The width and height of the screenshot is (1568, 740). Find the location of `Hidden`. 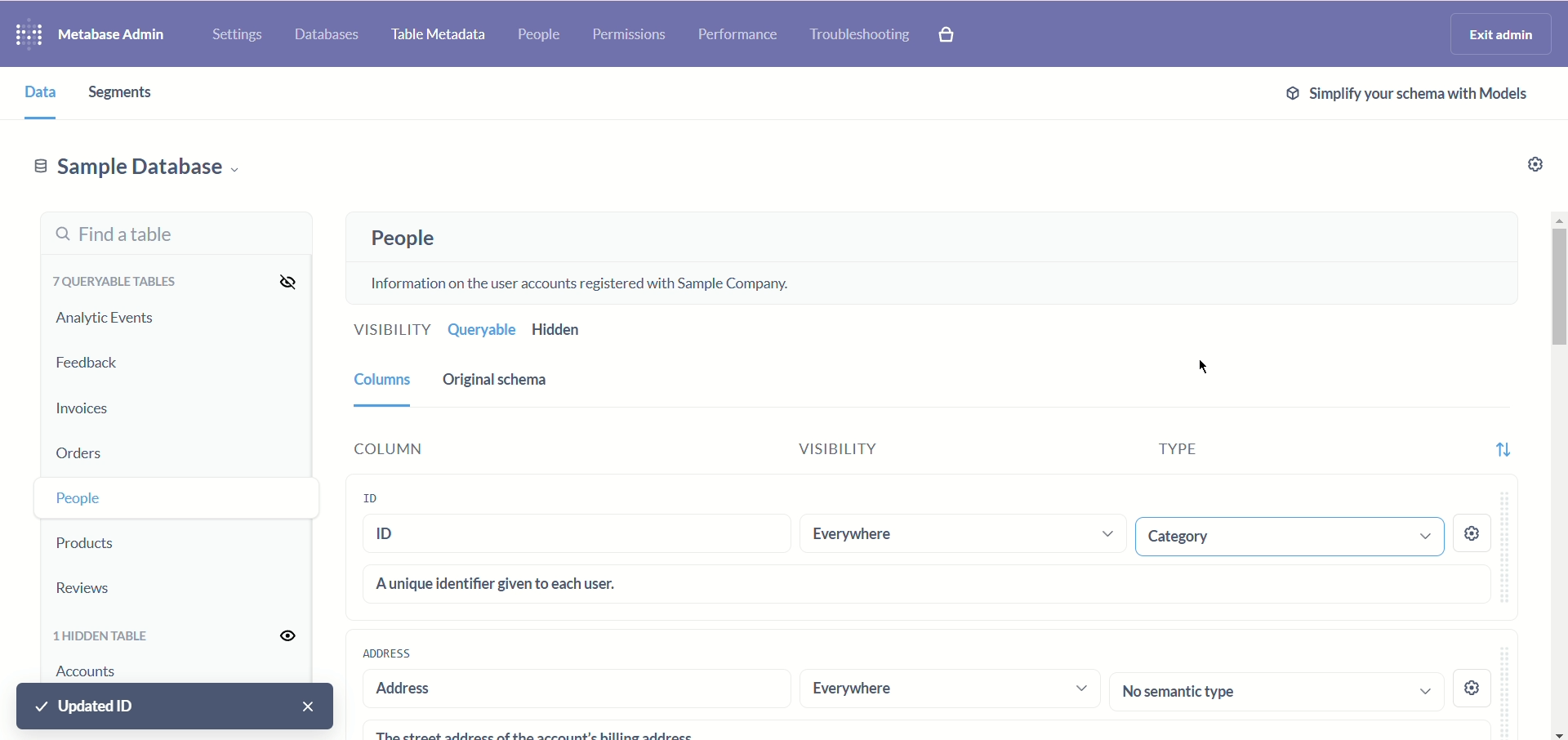

Hidden is located at coordinates (560, 330).